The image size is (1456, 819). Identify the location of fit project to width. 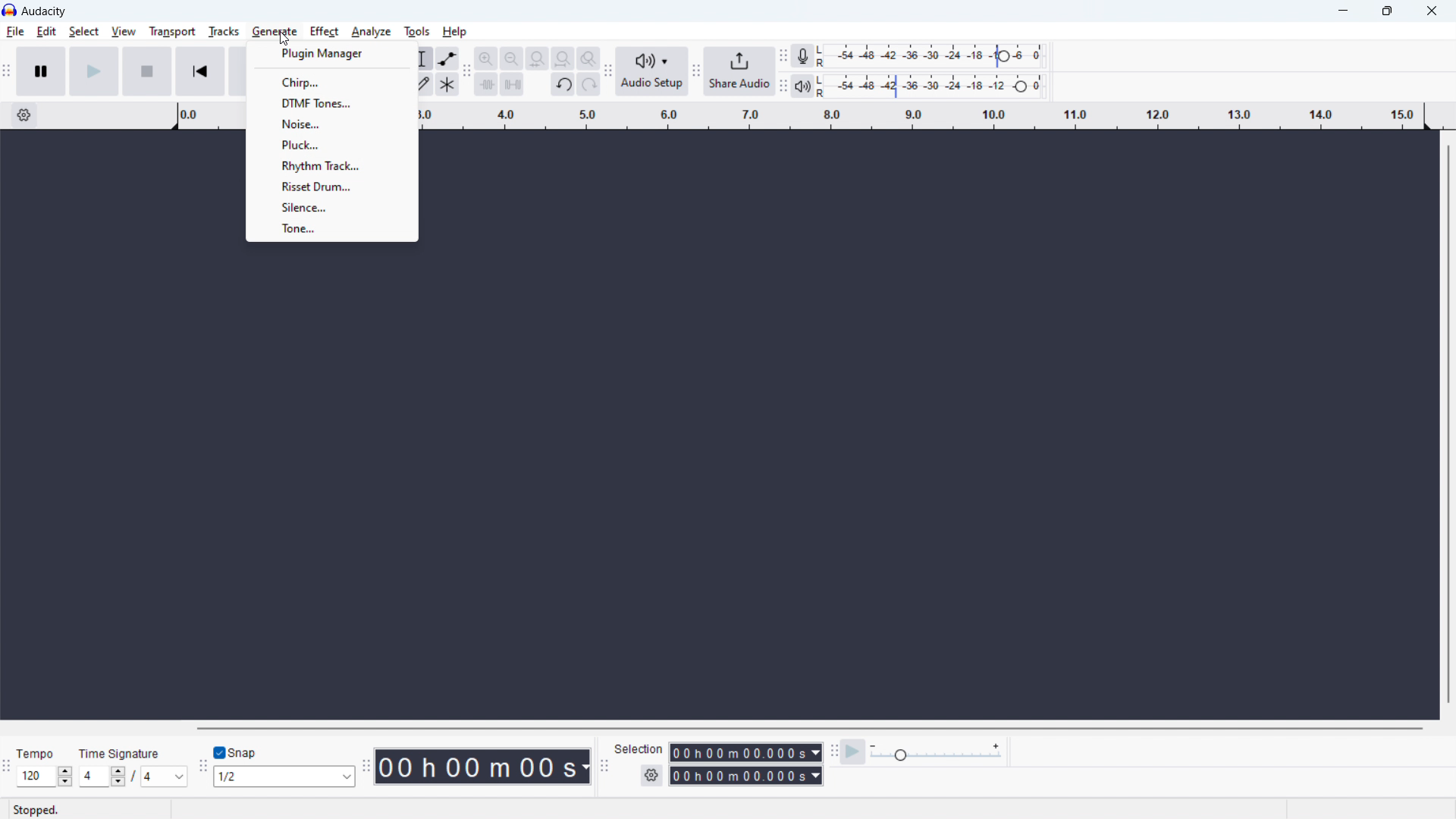
(563, 58).